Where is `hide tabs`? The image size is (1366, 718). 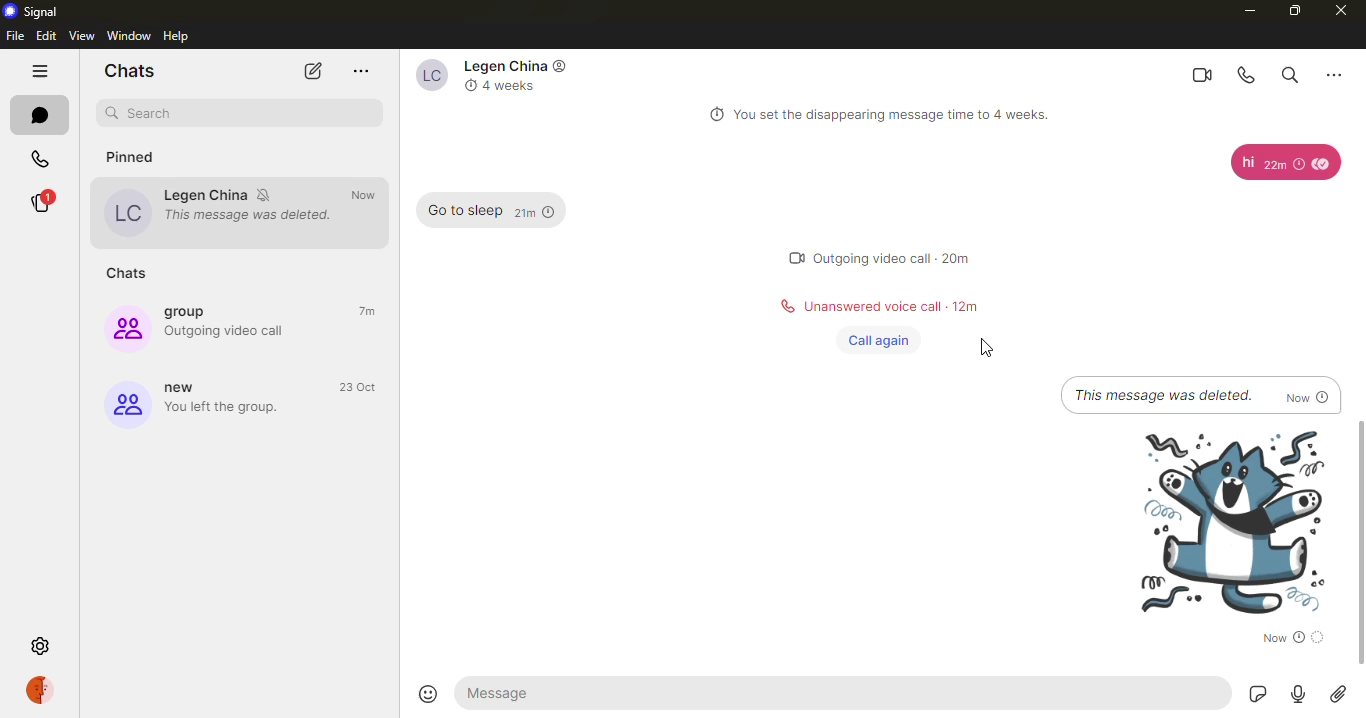
hide tabs is located at coordinates (40, 69).